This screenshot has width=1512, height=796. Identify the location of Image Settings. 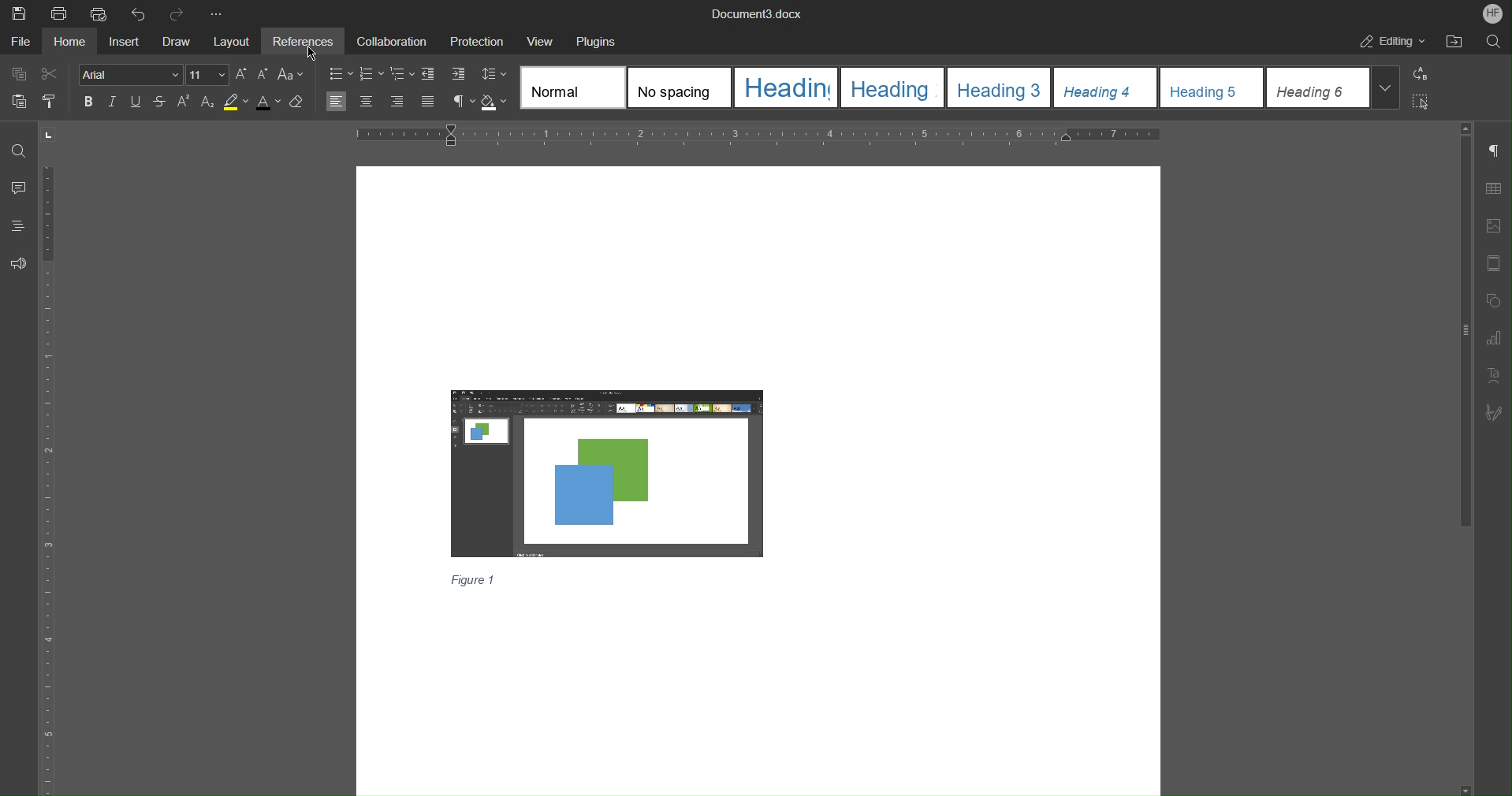
(1493, 229).